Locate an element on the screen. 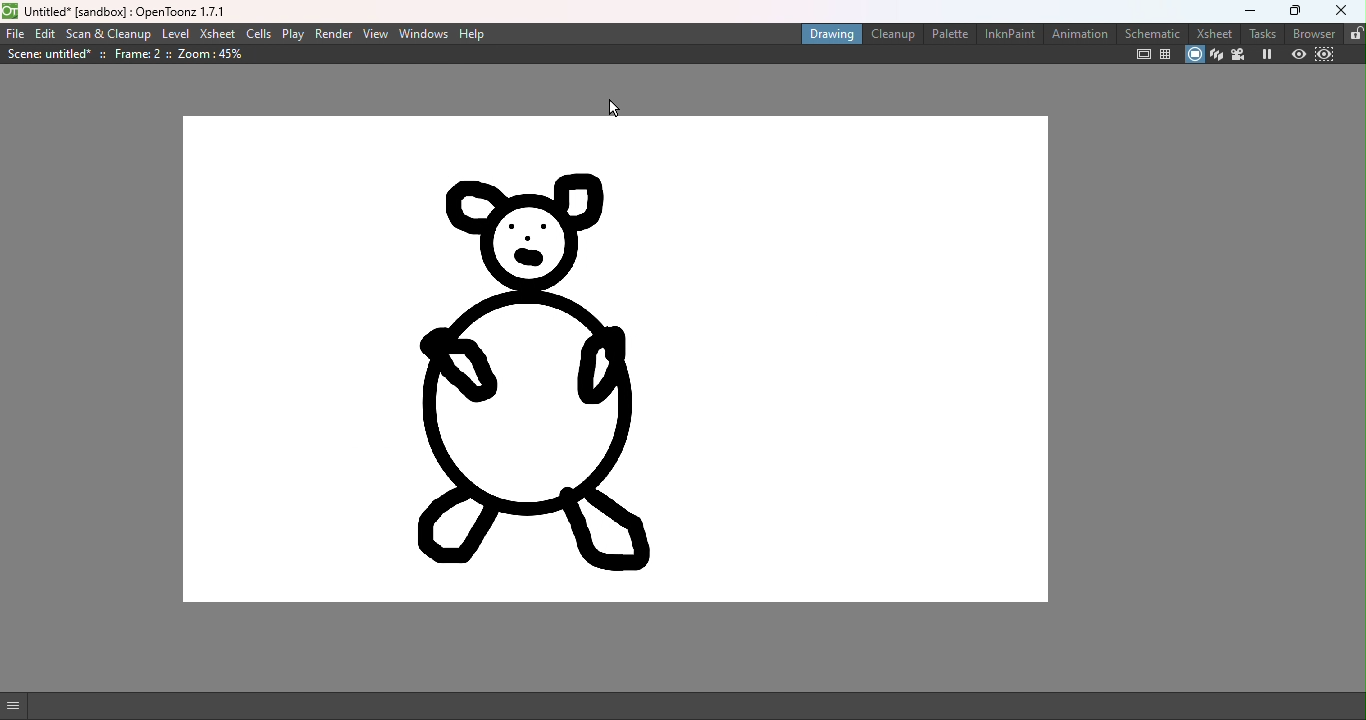 The width and height of the screenshot is (1366, 720). Xsheet is located at coordinates (218, 33).